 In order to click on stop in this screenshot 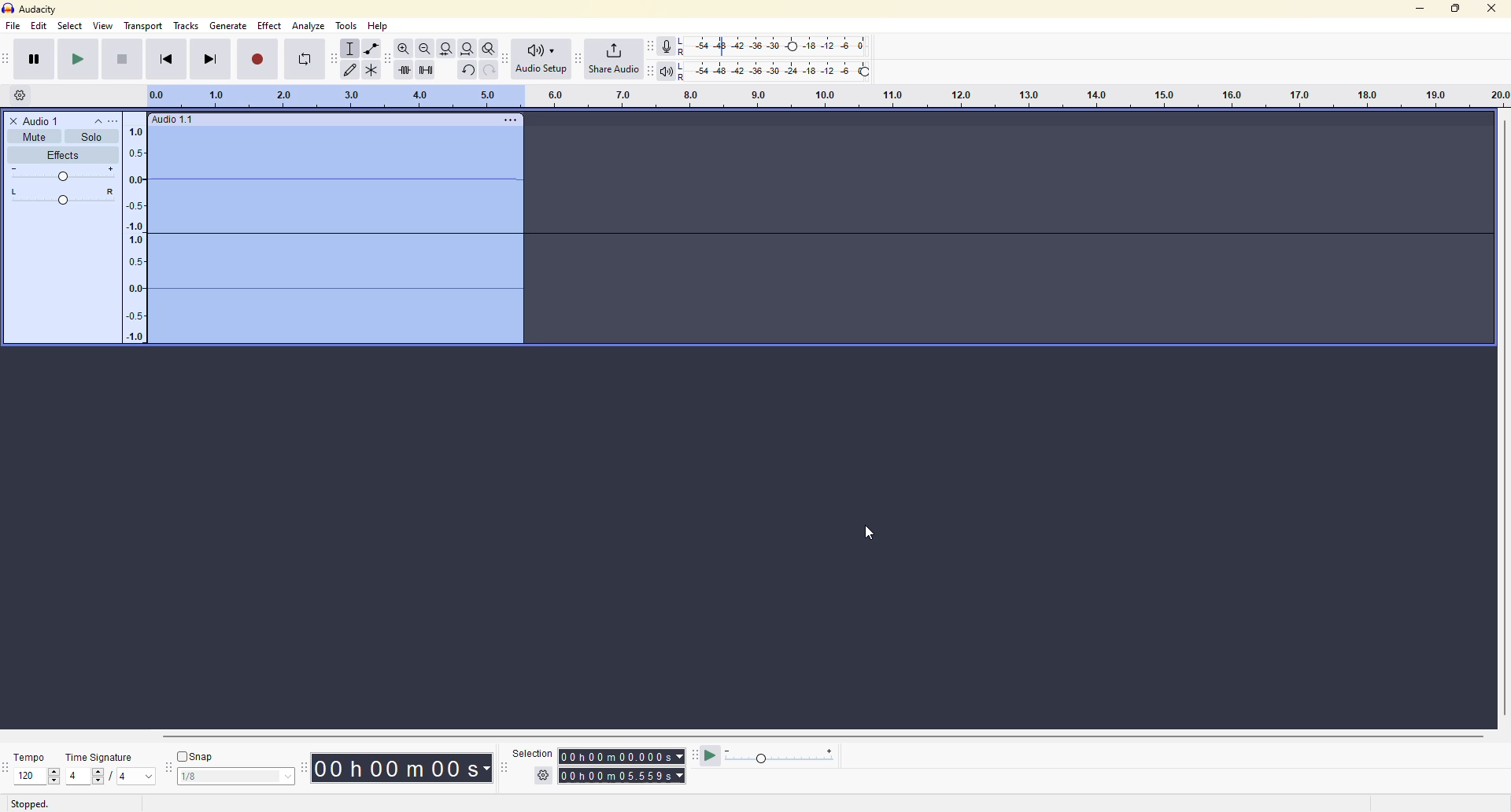, I will do `click(120, 59)`.